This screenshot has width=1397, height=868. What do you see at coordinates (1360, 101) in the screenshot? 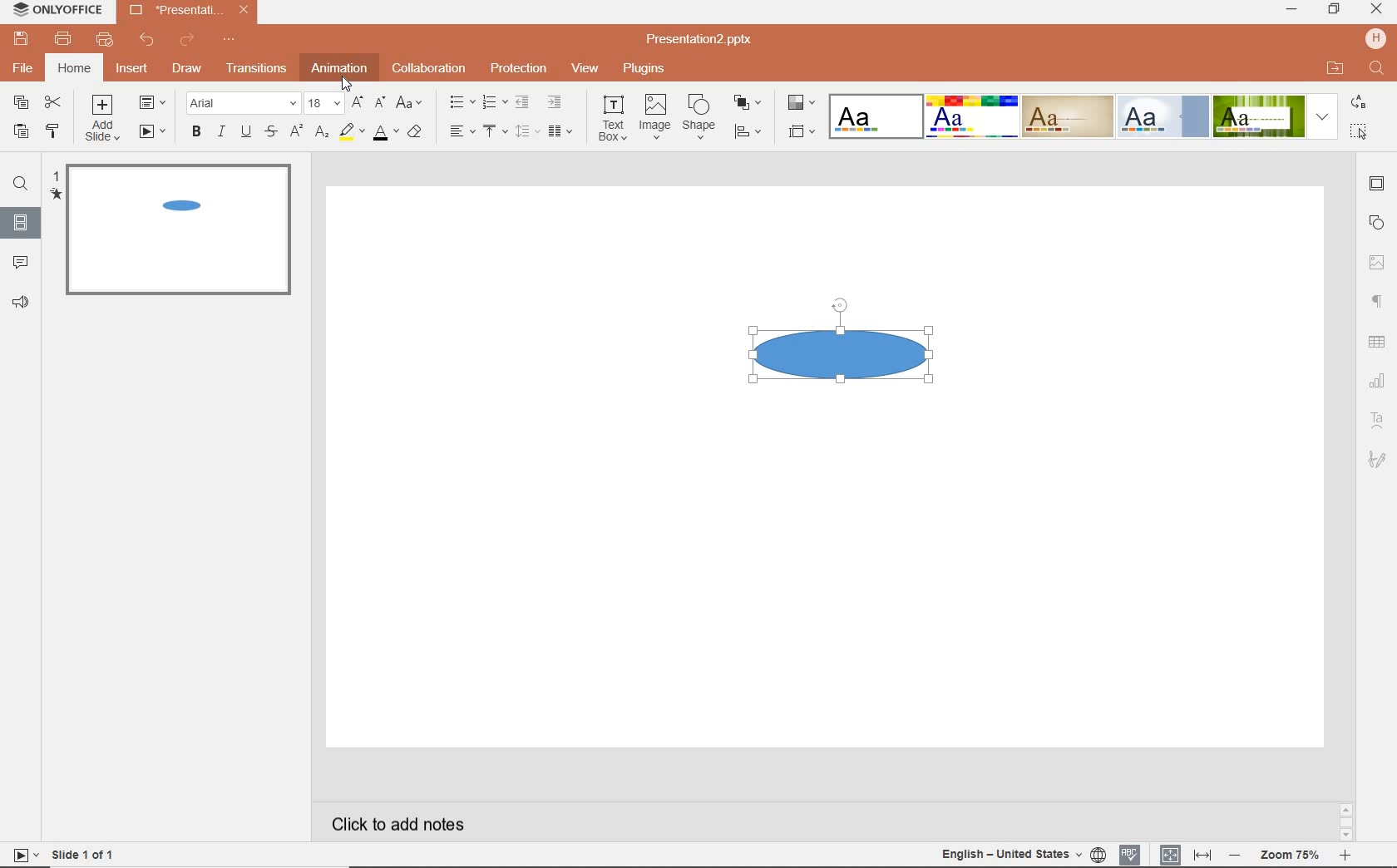
I see `replace` at bounding box center [1360, 101].